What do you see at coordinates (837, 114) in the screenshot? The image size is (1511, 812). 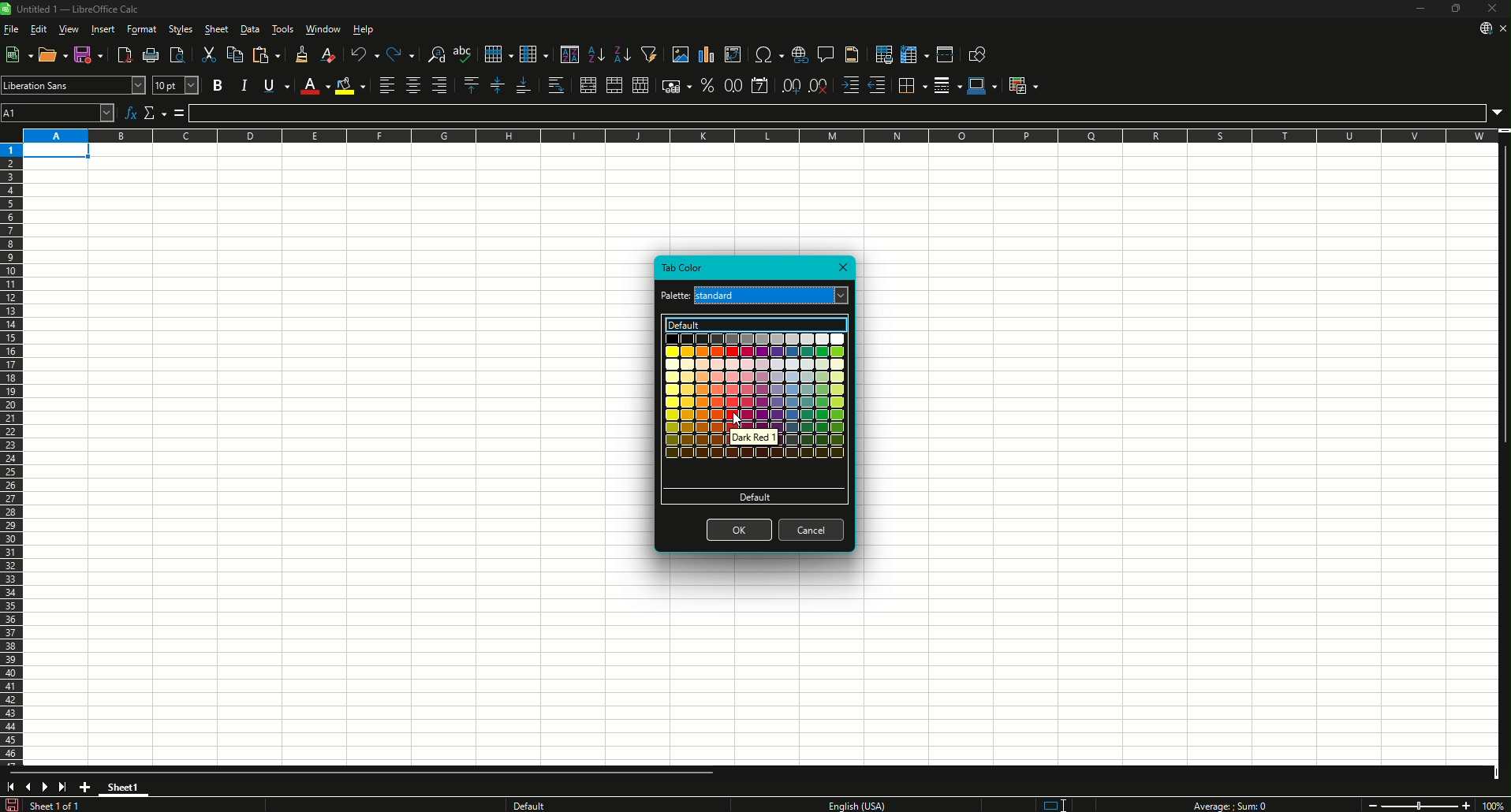 I see `Formula` at bounding box center [837, 114].